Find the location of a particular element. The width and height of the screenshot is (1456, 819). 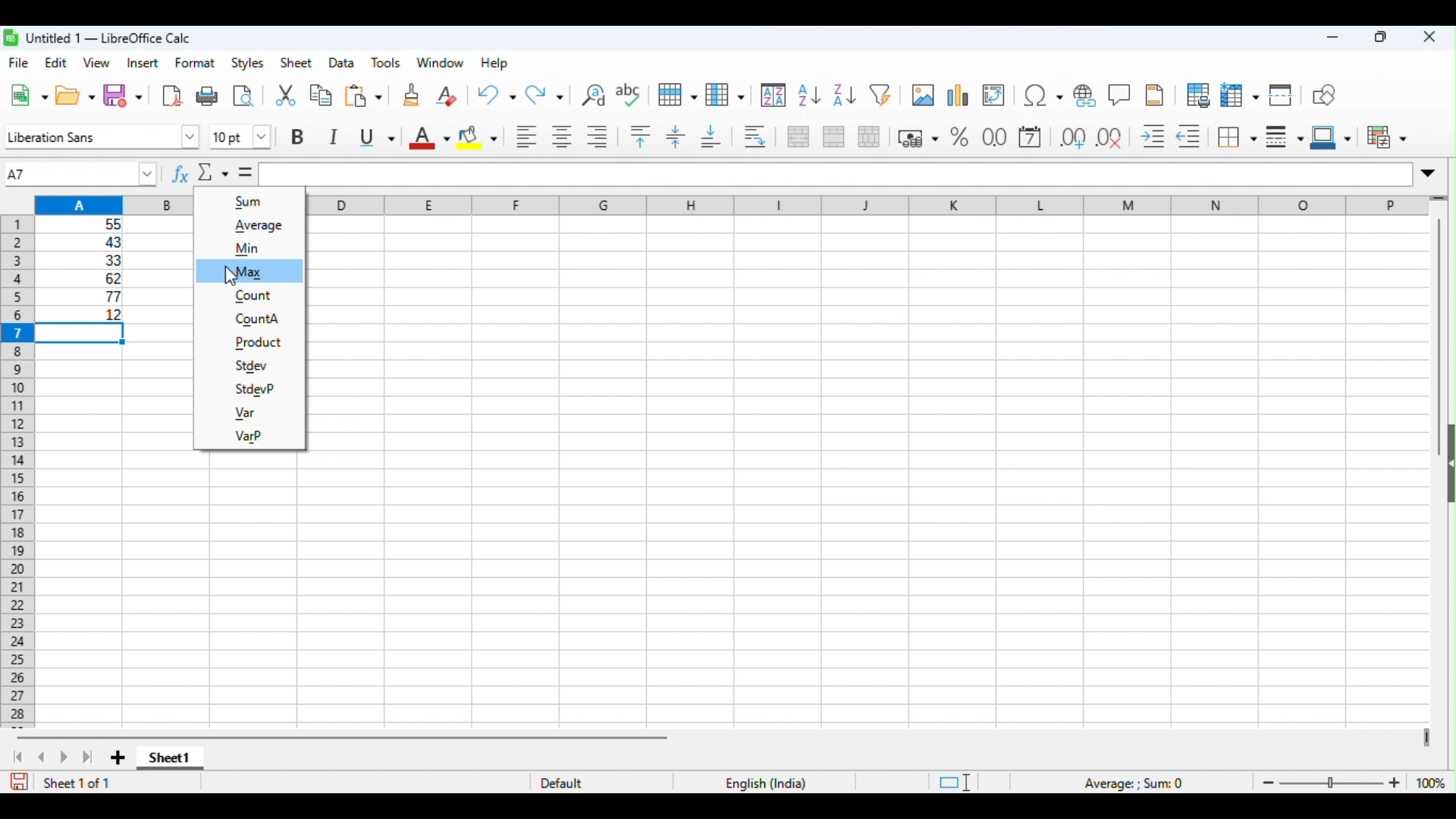

cursor movement is located at coordinates (231, 278).